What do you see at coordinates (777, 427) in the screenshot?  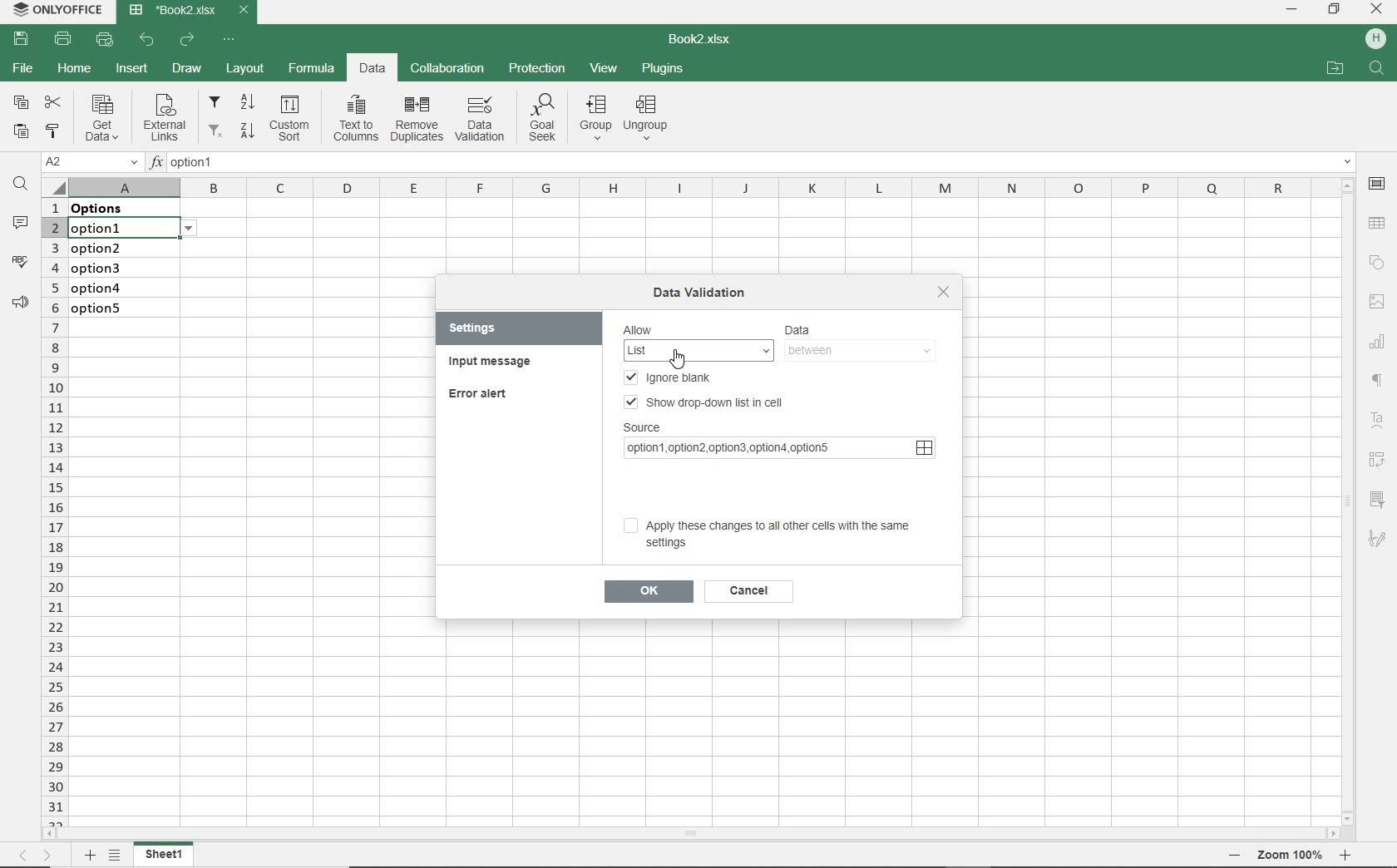 I see `SOURCE` at bounding box center [777, 427].